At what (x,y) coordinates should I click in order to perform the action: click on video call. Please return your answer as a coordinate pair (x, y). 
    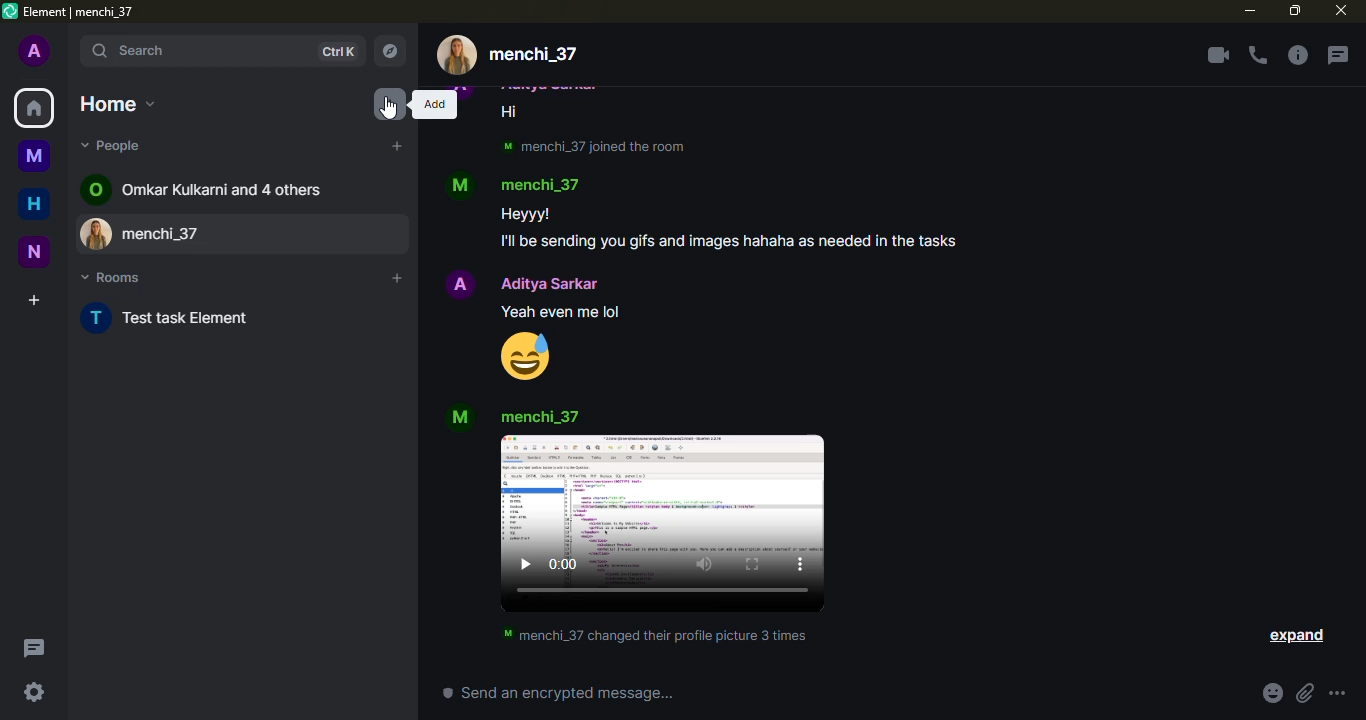
    Looking at the image, I should click on (1218, 55).